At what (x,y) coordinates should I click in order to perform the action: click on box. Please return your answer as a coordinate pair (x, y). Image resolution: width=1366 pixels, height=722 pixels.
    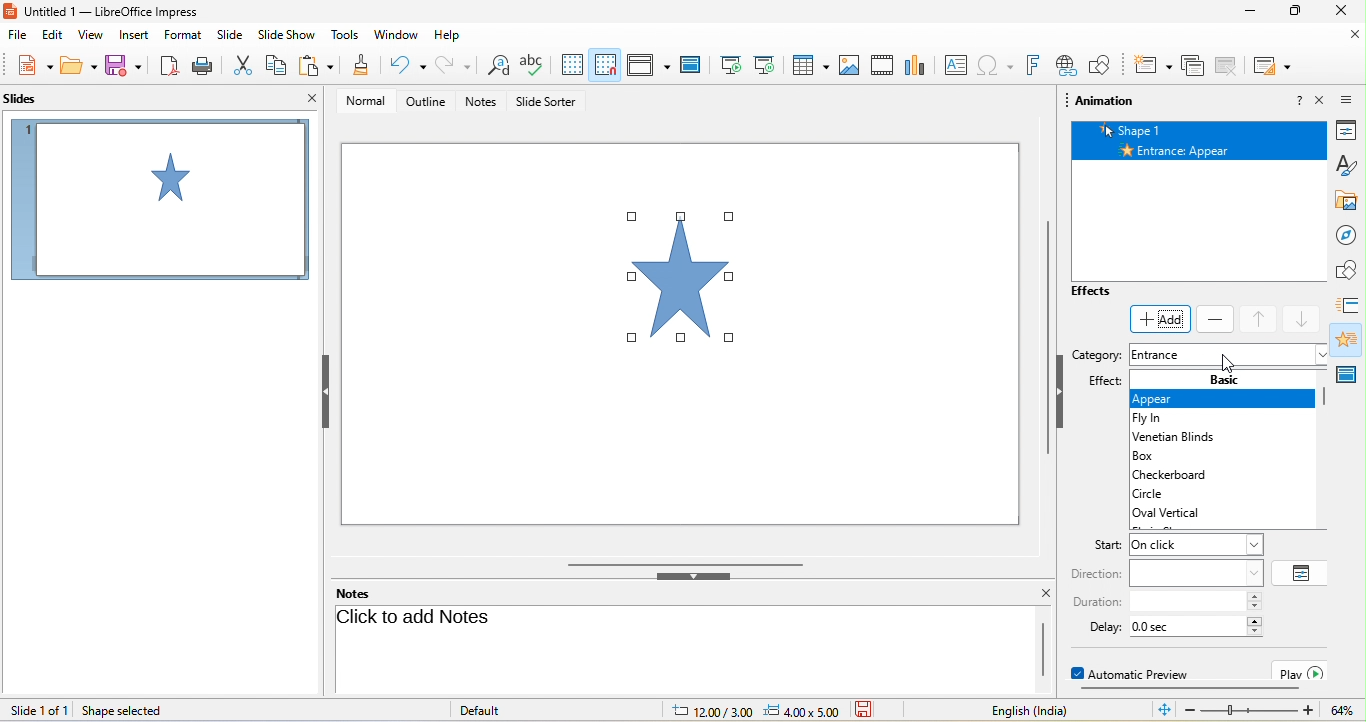
    Looking at the image, I should click on (1159, 456).